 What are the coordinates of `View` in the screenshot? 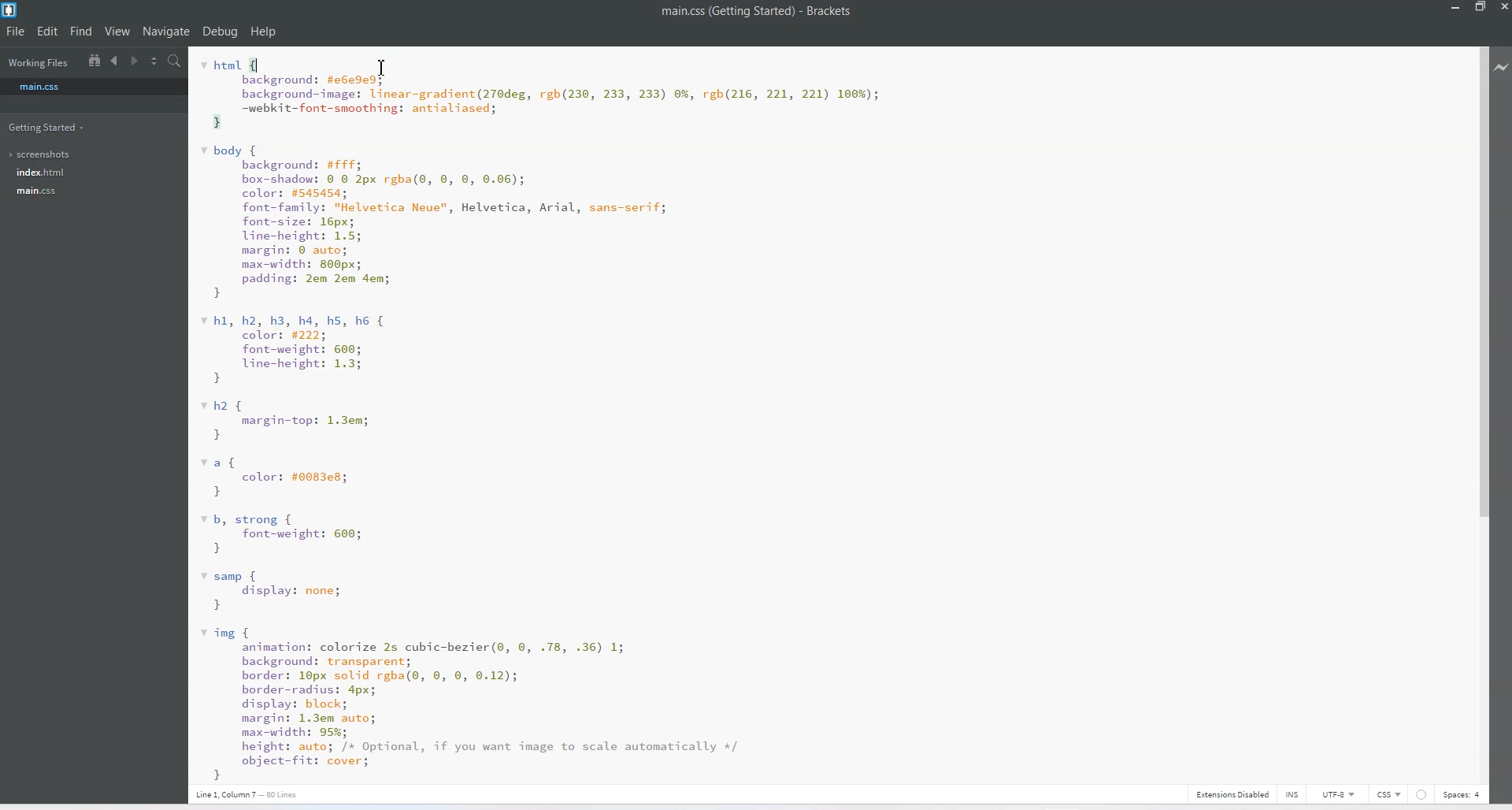 It's located at (117, 32).